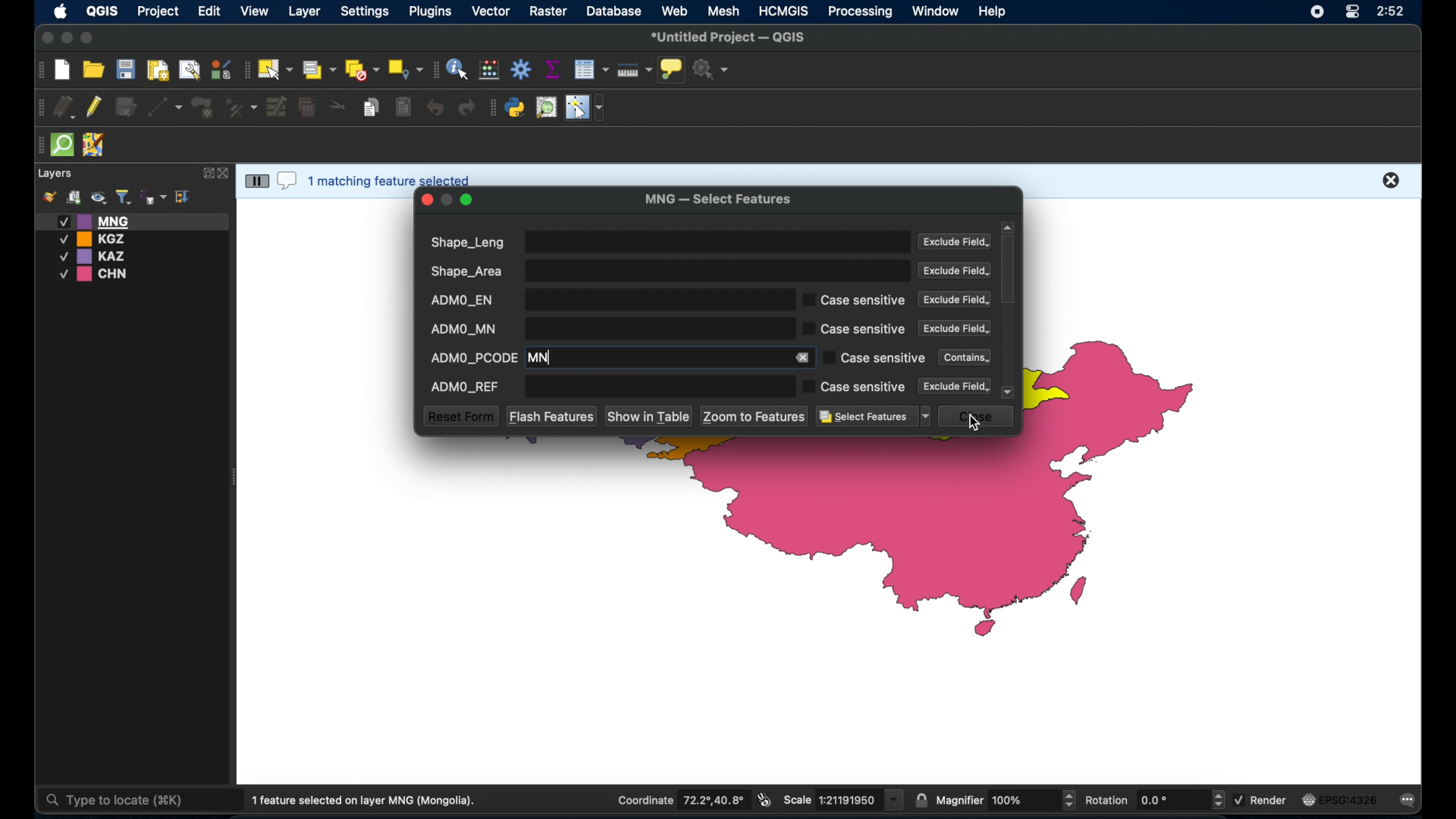 The height and width of the screenshot is (819, 1456). I want to click on close, so click(1392, 182).